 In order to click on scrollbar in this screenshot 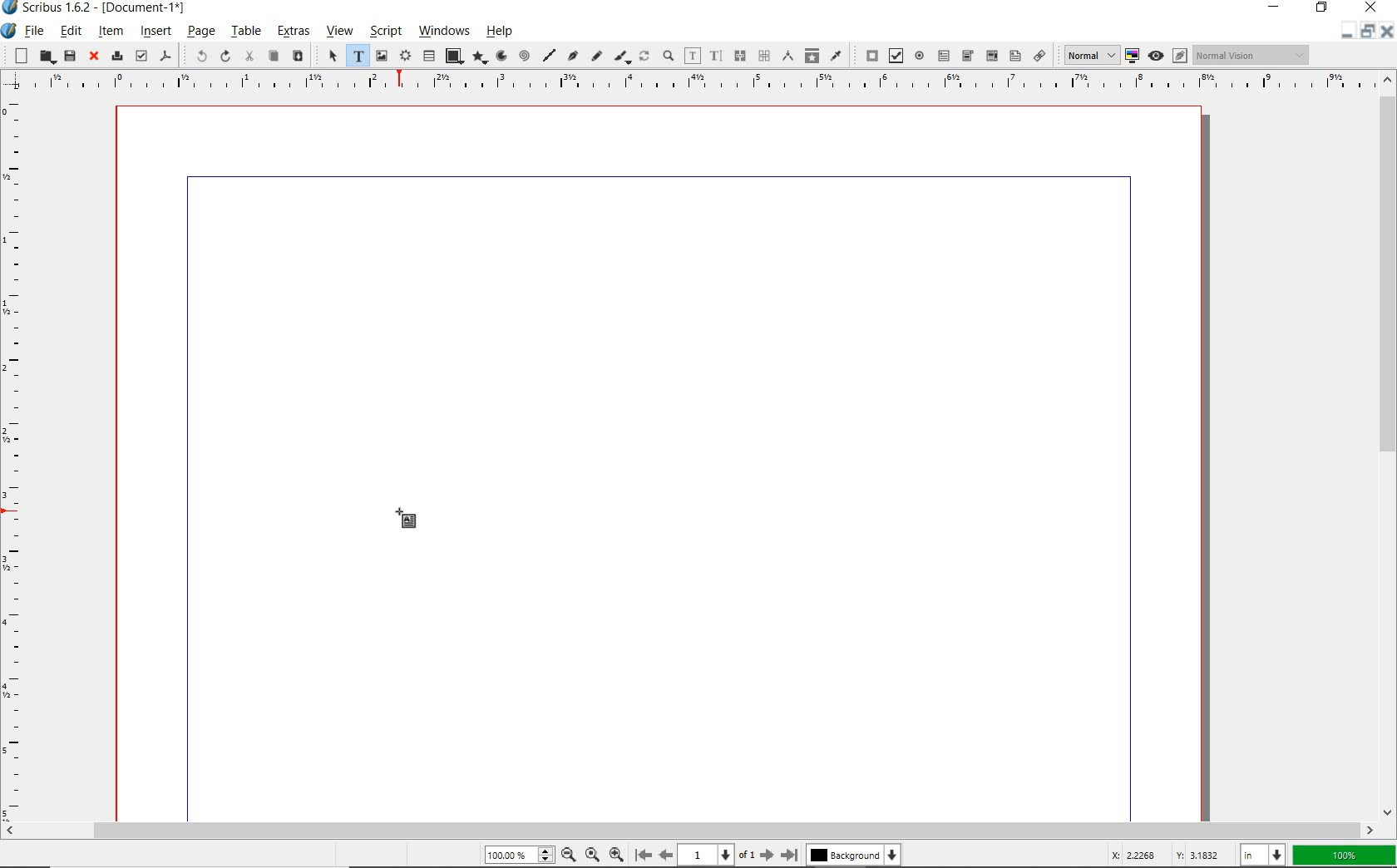, I will do `click(689, 831)`.